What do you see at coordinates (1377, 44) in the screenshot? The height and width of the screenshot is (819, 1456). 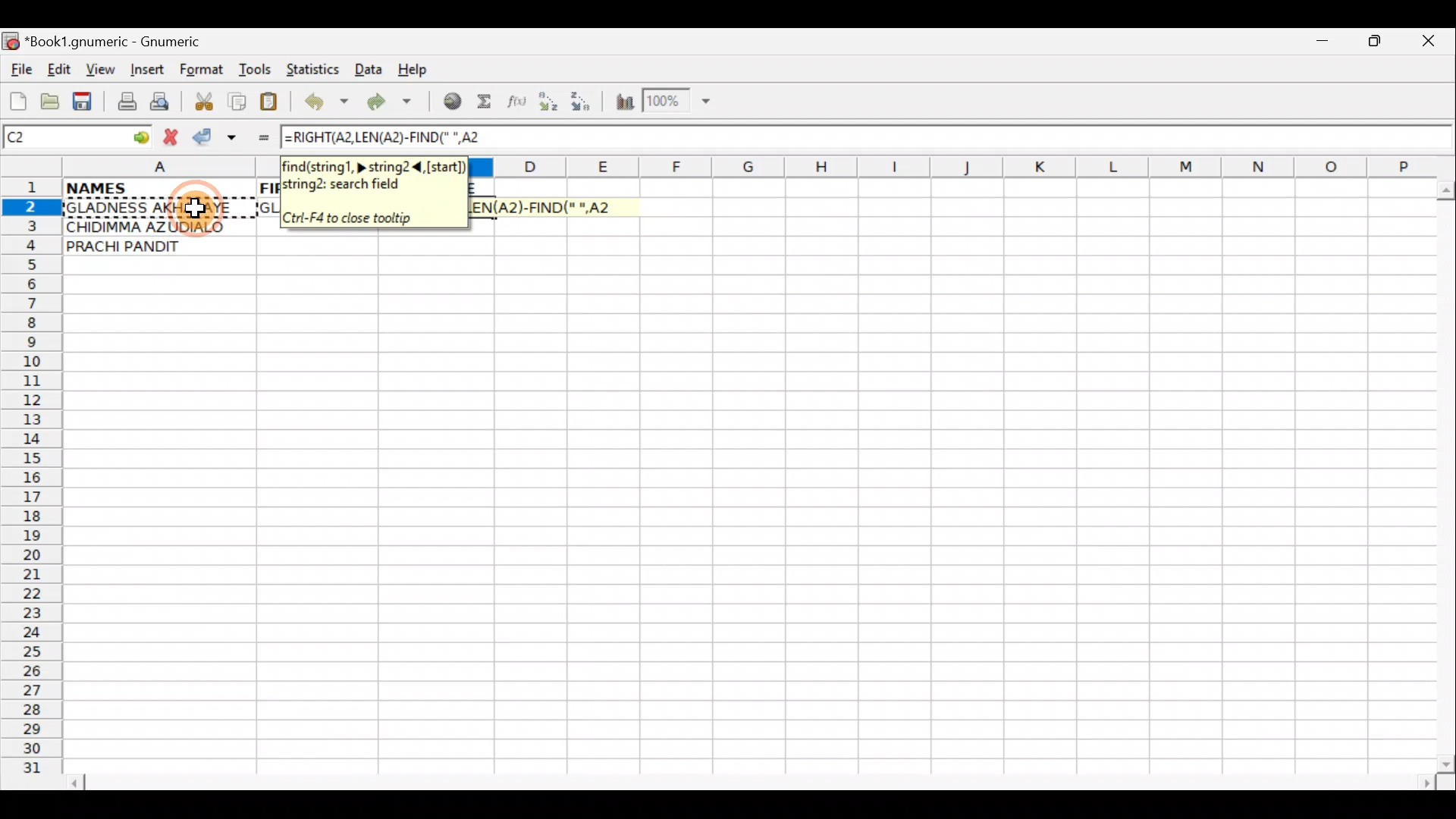 I see `Maximize` at bounding box center [1377, 44].